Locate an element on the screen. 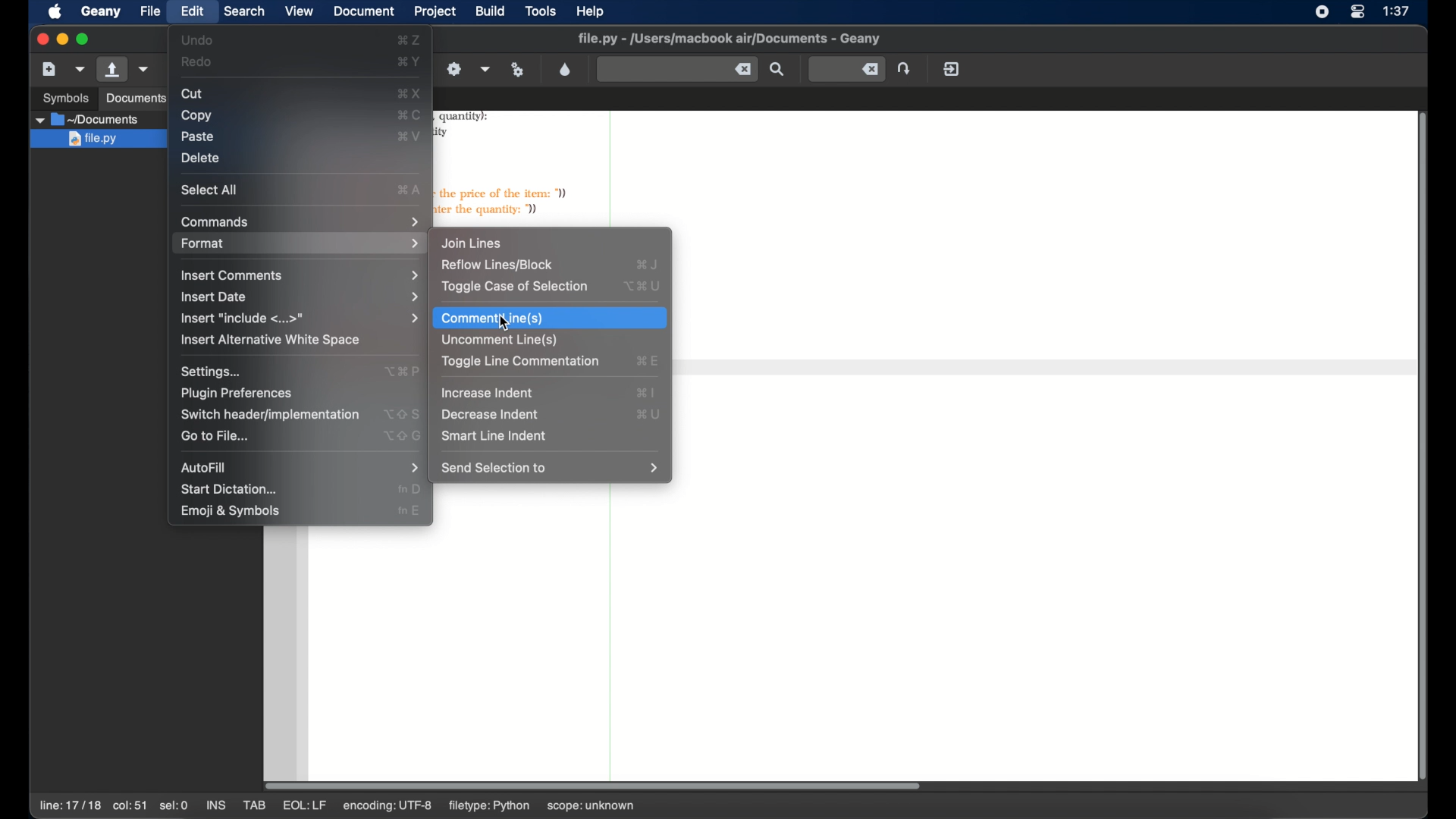 Image resolution: width=1456 pixels, height=819 pixels. cut is located at coordinates (193, 94).